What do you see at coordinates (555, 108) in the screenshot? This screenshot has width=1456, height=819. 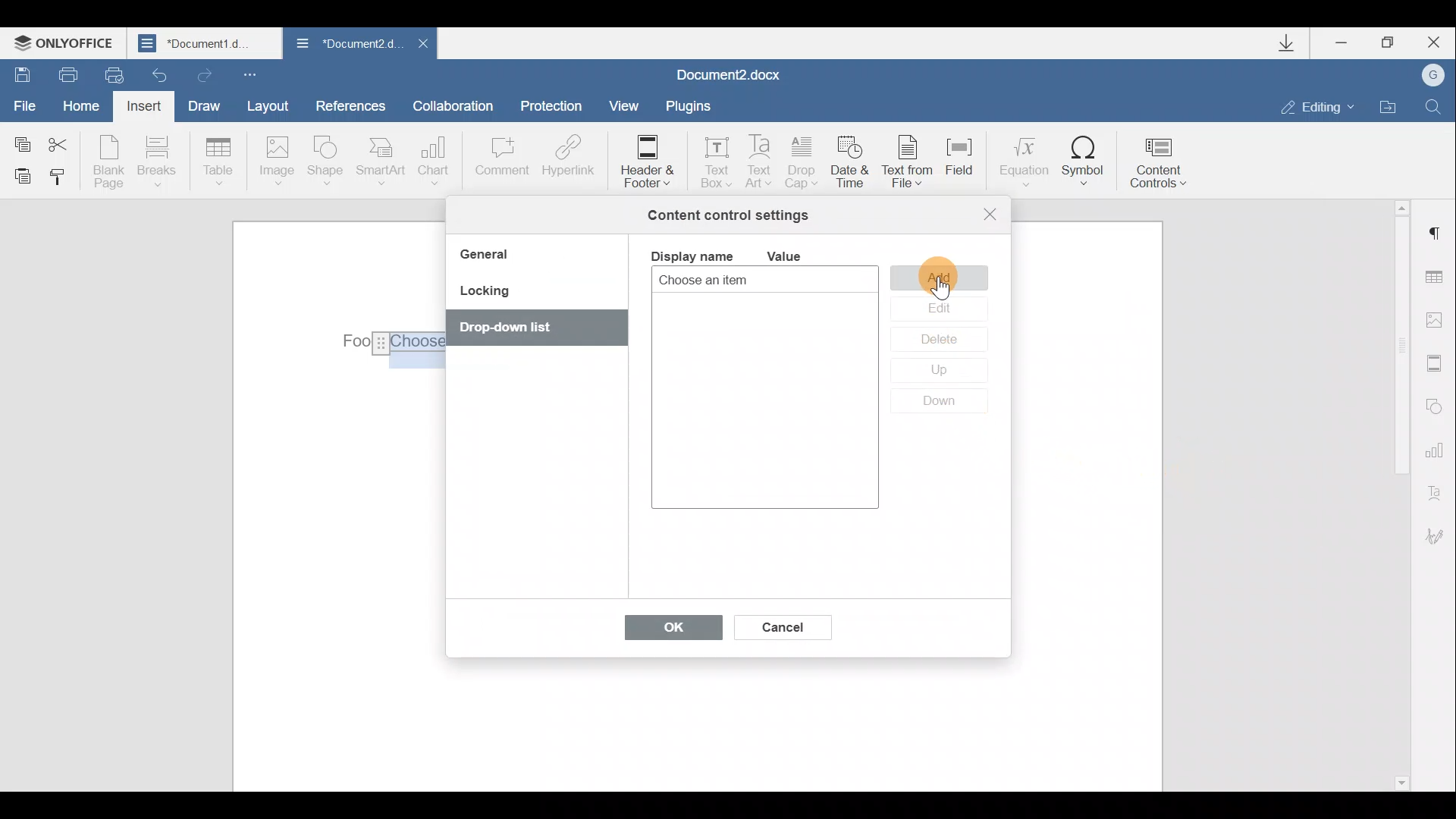 I see `Protection` at bounding box center [555, 108].